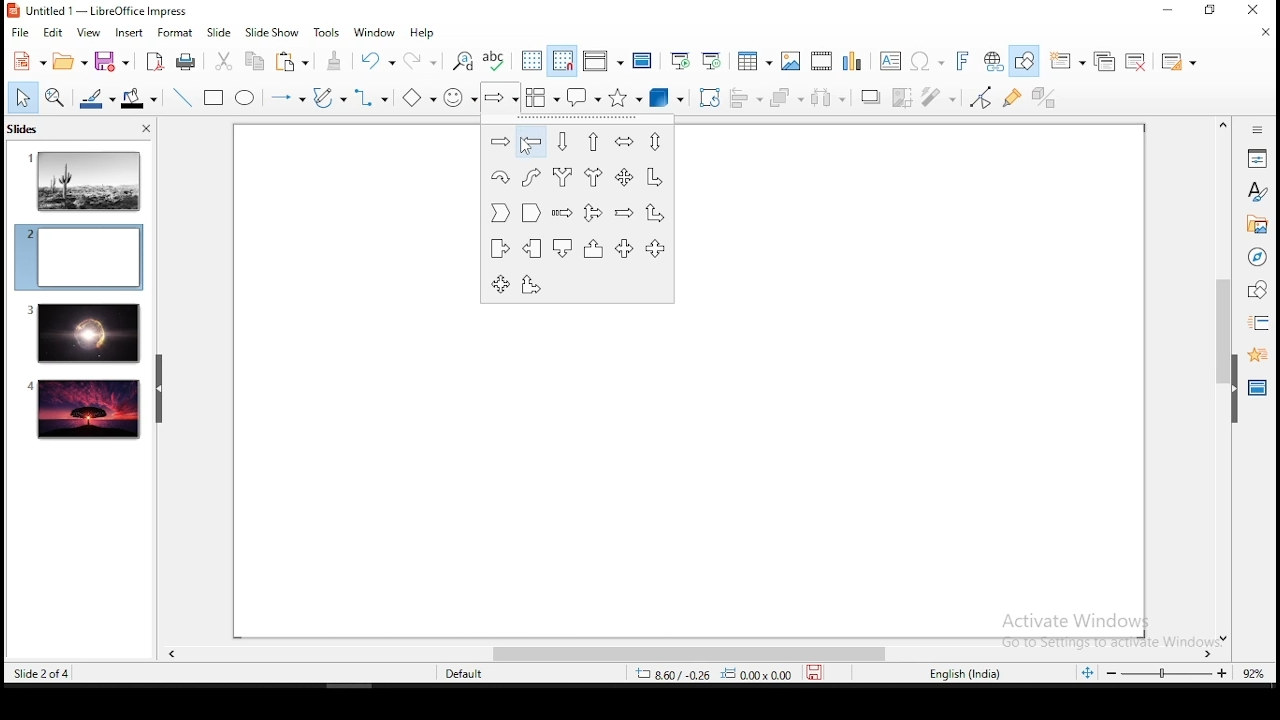 Image resolution: width=1280 pixels, height=720 pixels. Describe the element at coordinates (664, 99) in the screenshot. I see `3D objects` at that location.